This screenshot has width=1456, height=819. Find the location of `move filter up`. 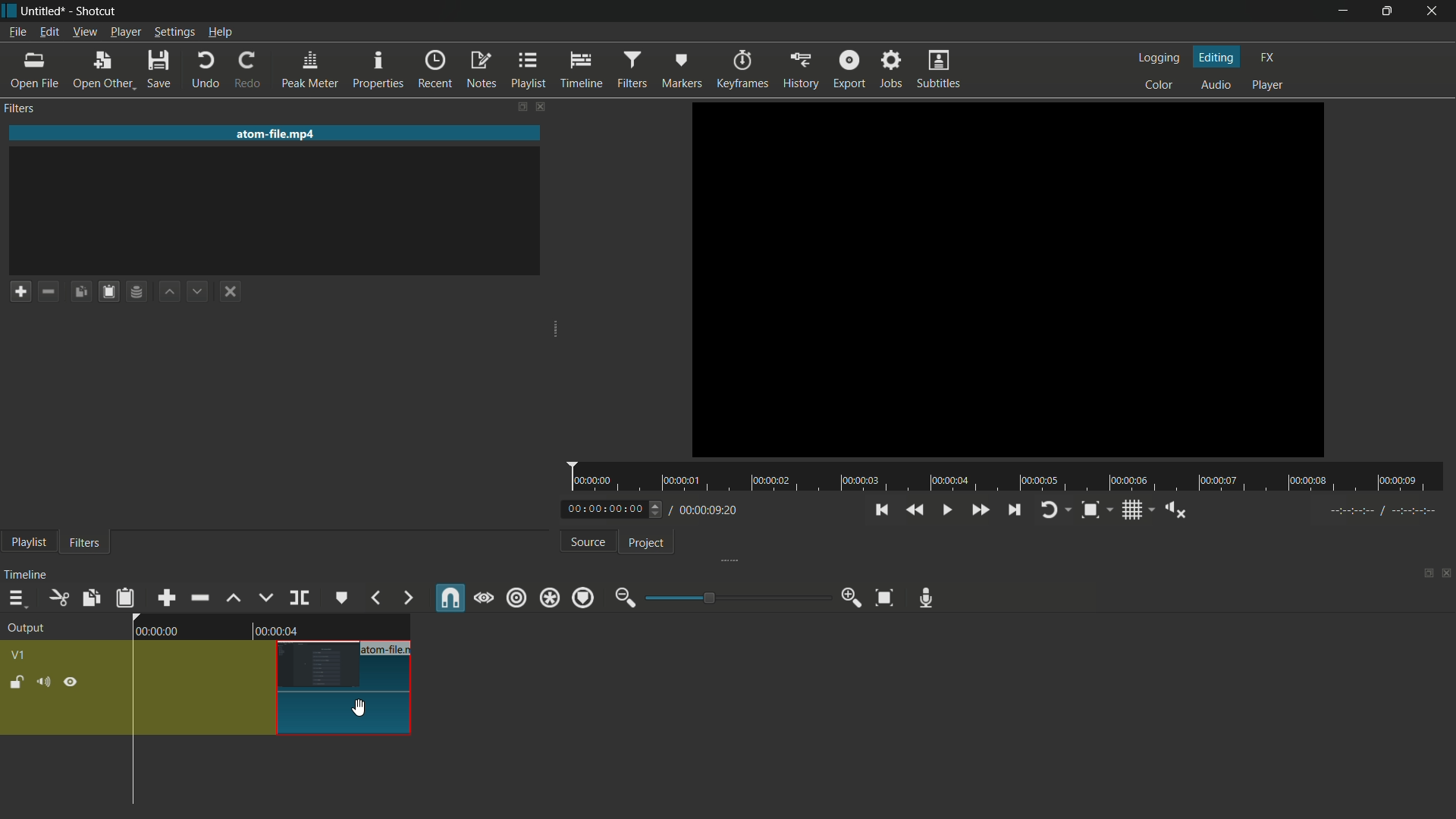

move filter up is located at coordinates (233, 600).